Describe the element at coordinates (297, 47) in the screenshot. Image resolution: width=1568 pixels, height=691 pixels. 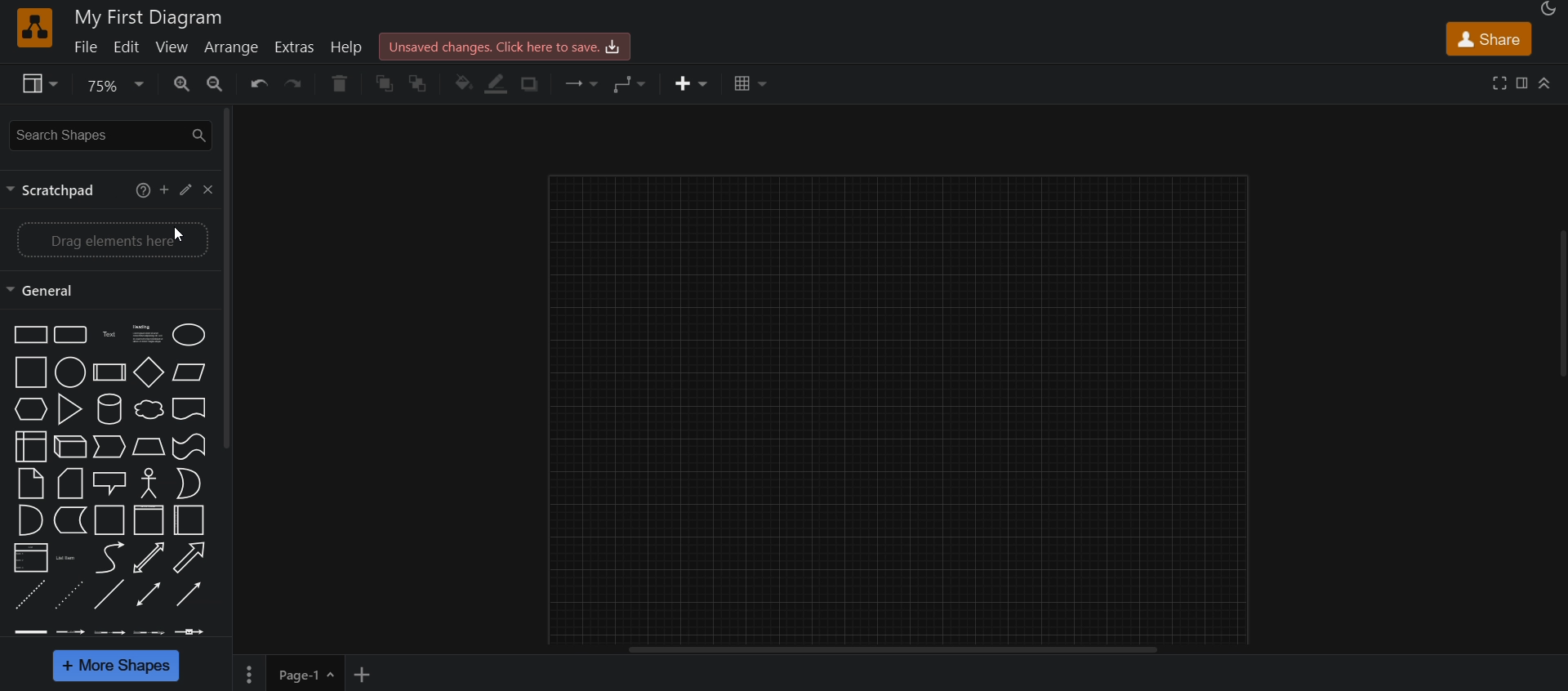
I see `extras` at that location.